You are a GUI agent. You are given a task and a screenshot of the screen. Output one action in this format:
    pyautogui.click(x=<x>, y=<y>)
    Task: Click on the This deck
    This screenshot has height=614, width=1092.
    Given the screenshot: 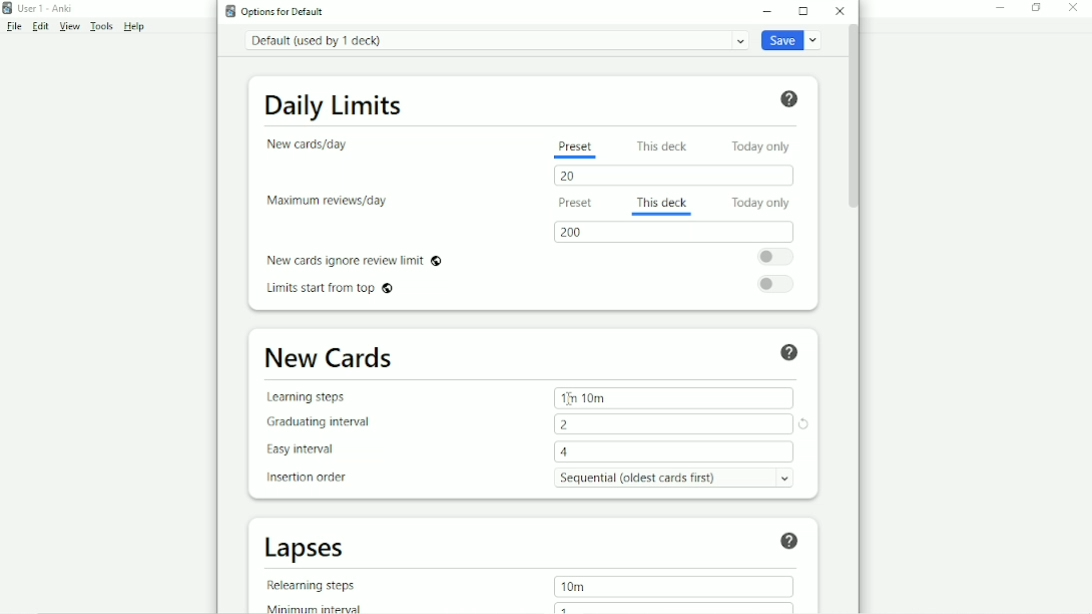 What is the action you would take?
    pyautogui.click(x=661, y=146)
    